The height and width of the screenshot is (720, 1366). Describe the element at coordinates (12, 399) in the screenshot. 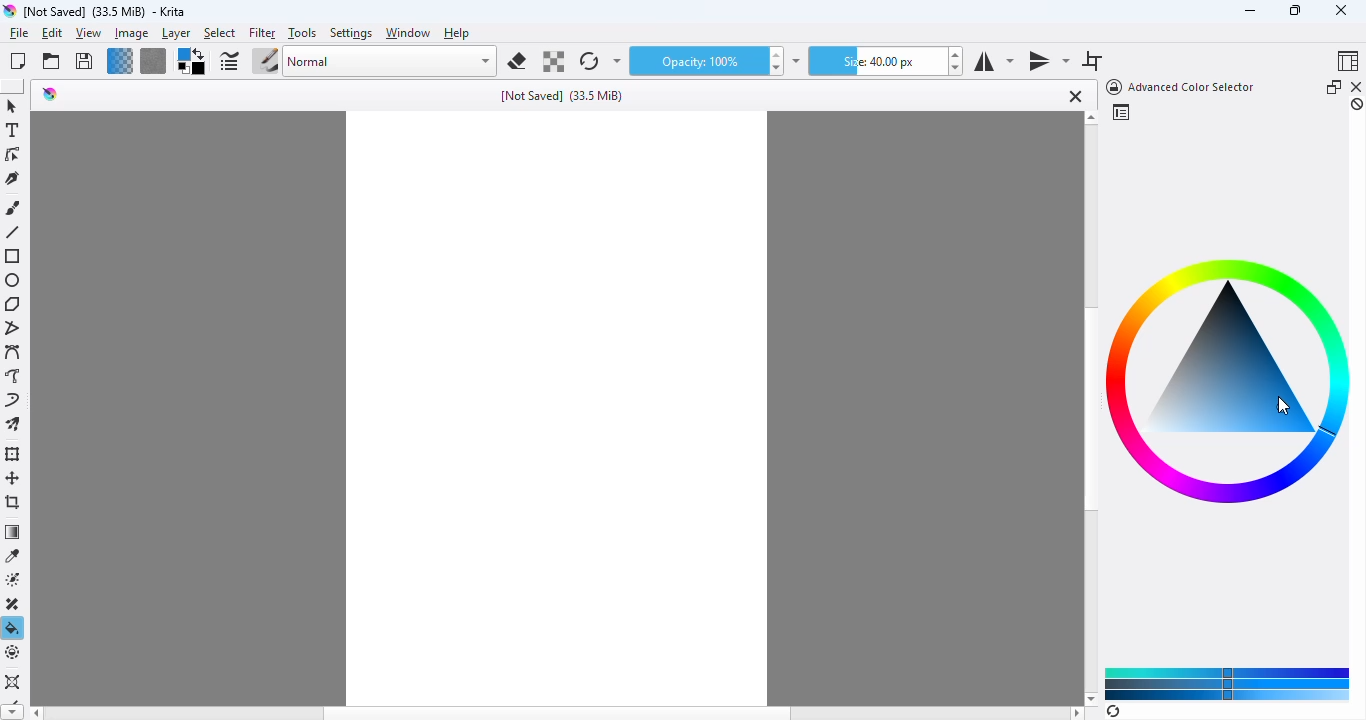

I see `dynamic brush tool` at that location.